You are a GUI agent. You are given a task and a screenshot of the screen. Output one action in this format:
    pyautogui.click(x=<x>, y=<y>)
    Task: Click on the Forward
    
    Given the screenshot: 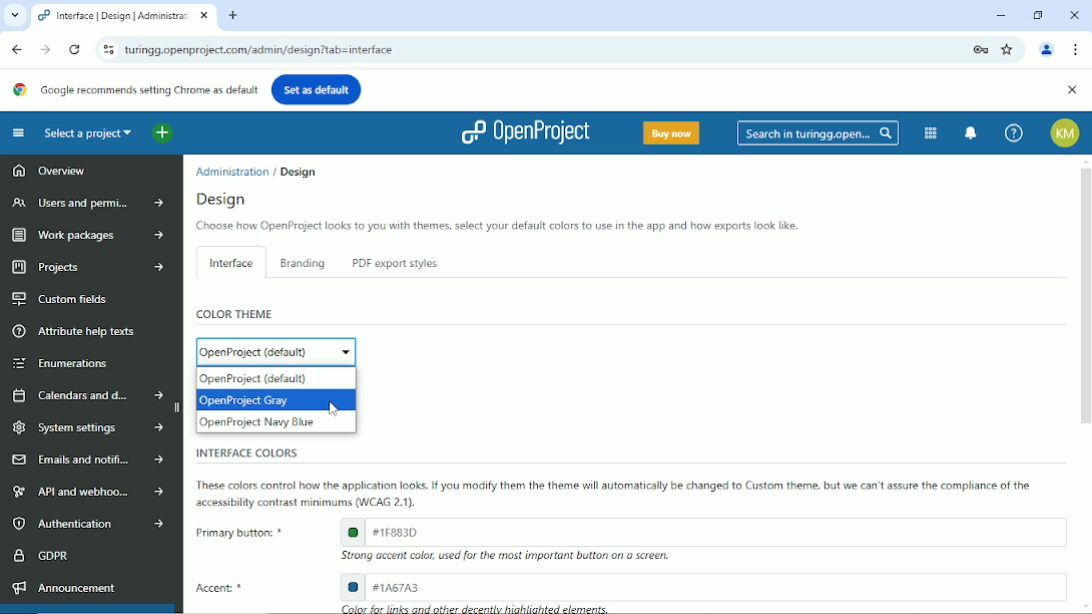 What is the action you would take?
    pyautogui.click(x=44, y=49)
    